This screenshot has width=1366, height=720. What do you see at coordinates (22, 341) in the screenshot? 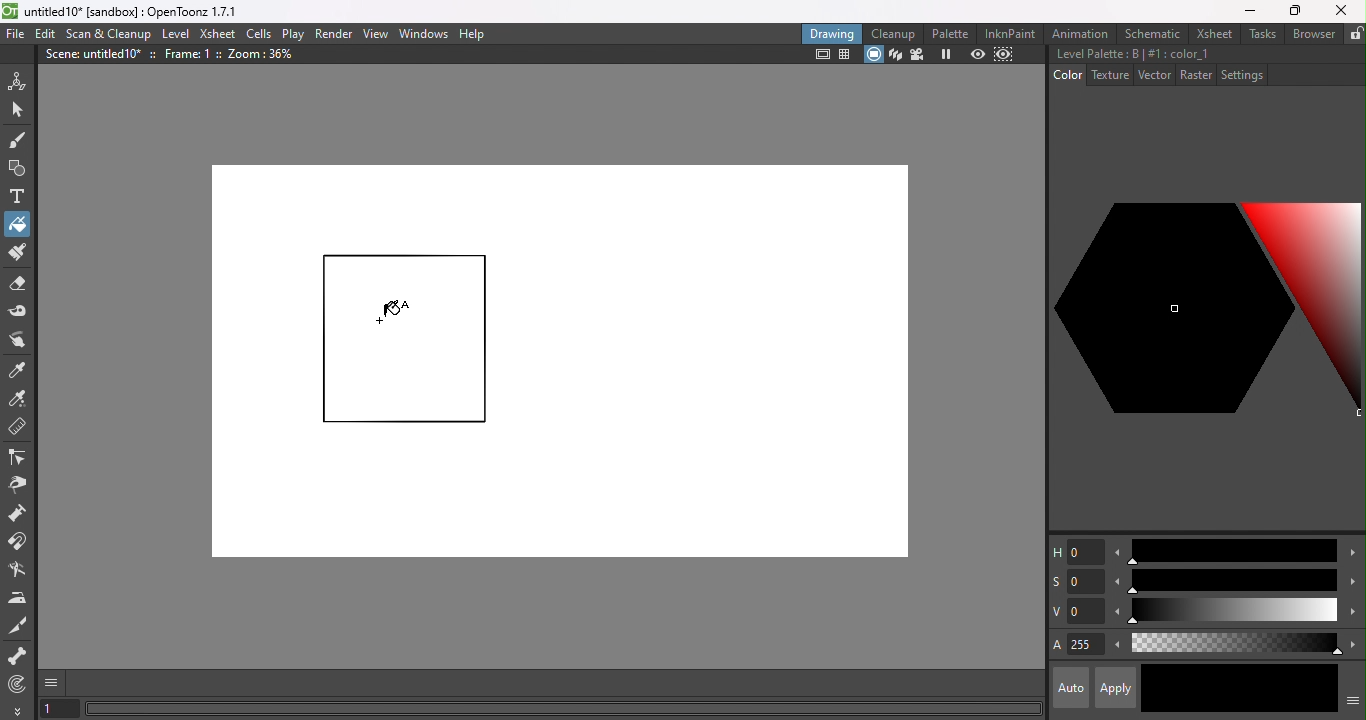
I see `Finger tool` at bounding box center [22, 341].